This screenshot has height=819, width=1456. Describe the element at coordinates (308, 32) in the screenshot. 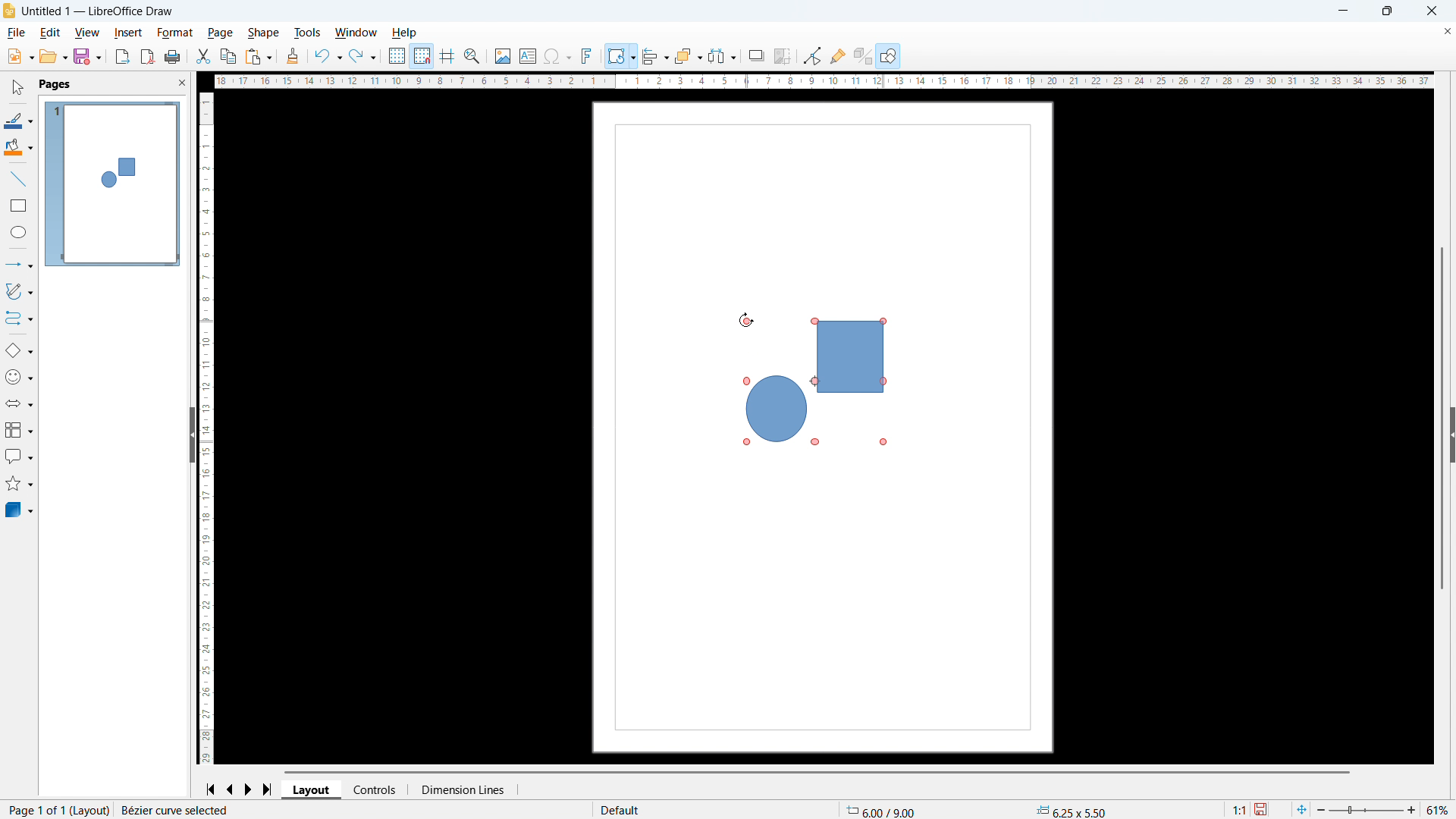

I see `Tools ` at that location.